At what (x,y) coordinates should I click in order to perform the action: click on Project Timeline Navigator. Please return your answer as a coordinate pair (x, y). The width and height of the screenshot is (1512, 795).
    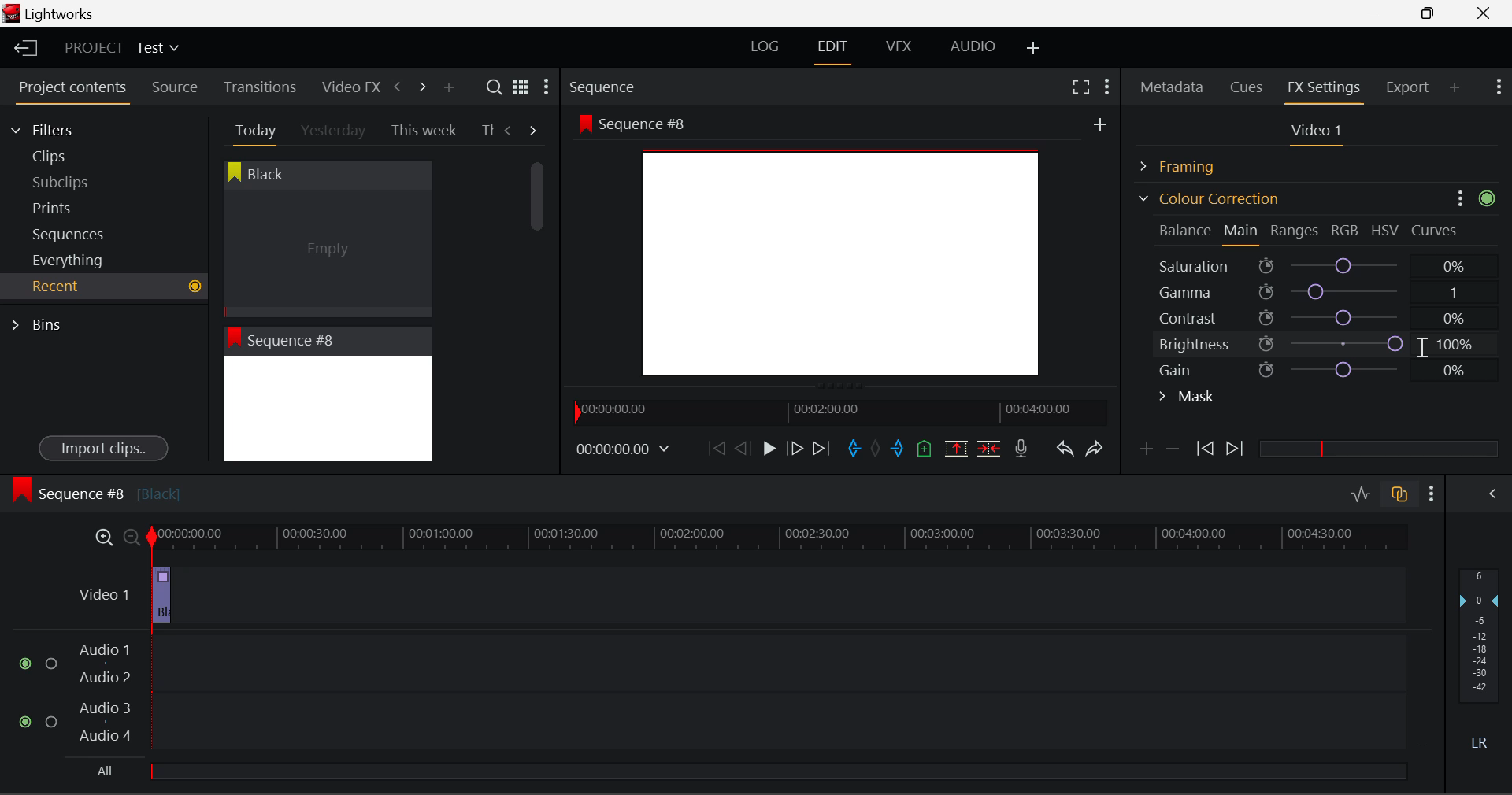
    Looking at the image, I should click on (838, 412).